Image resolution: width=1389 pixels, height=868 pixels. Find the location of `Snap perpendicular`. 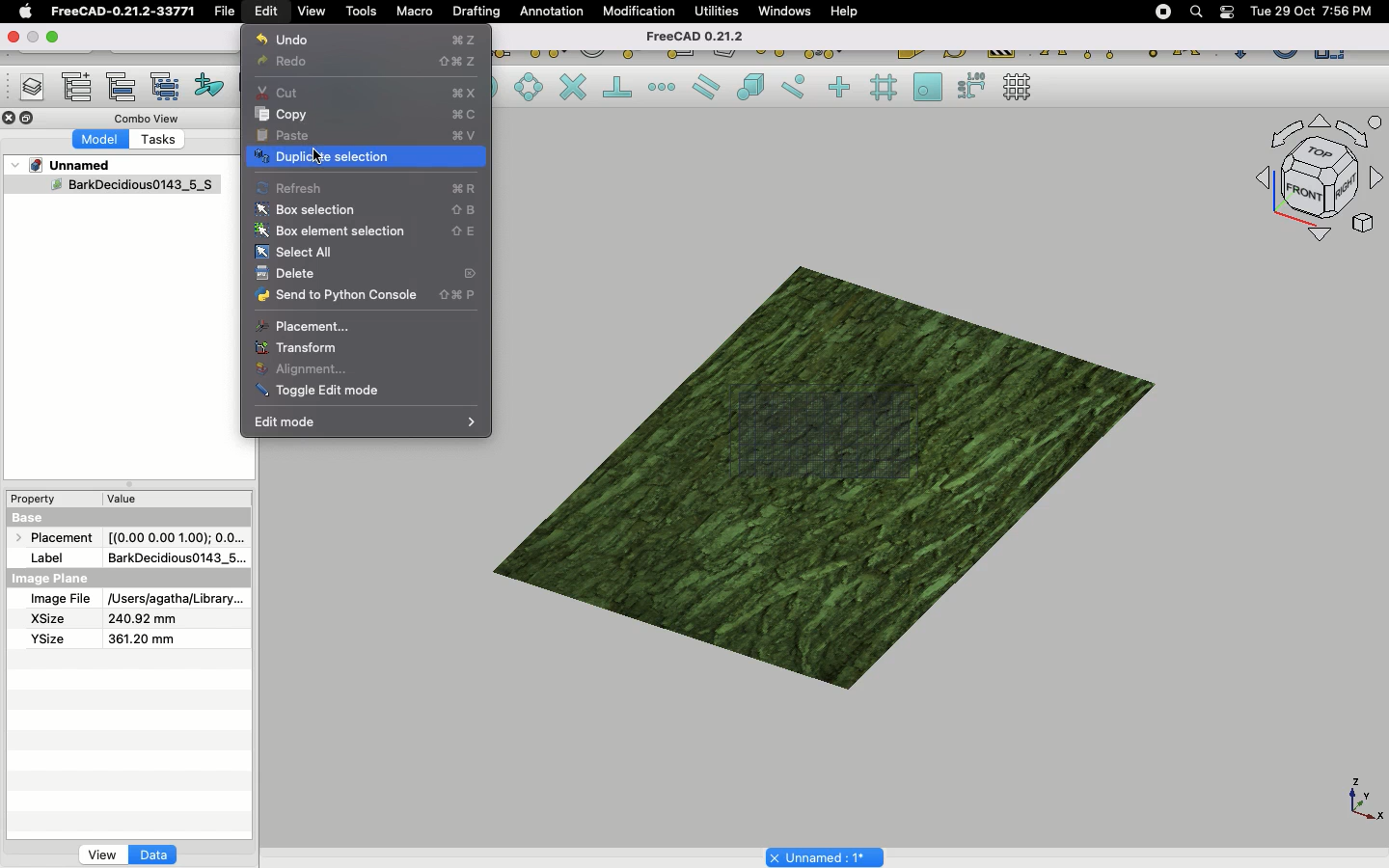

Snap perpendicular is located at coordinates (620, 89).